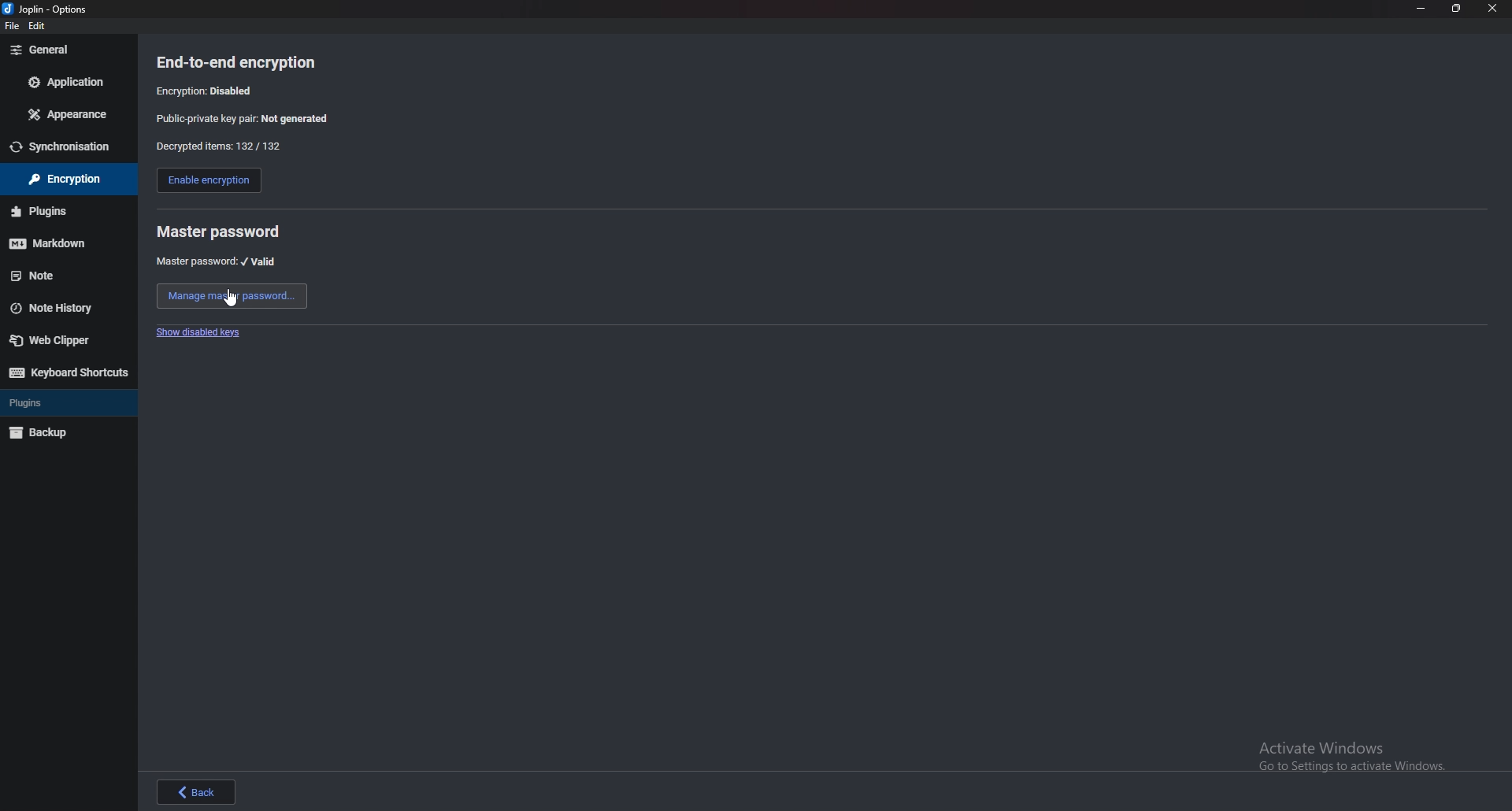 The image size is (1512, 811). Describe the element at coordinates (66, 403) in the screenshot. I see `plugins` at that location.